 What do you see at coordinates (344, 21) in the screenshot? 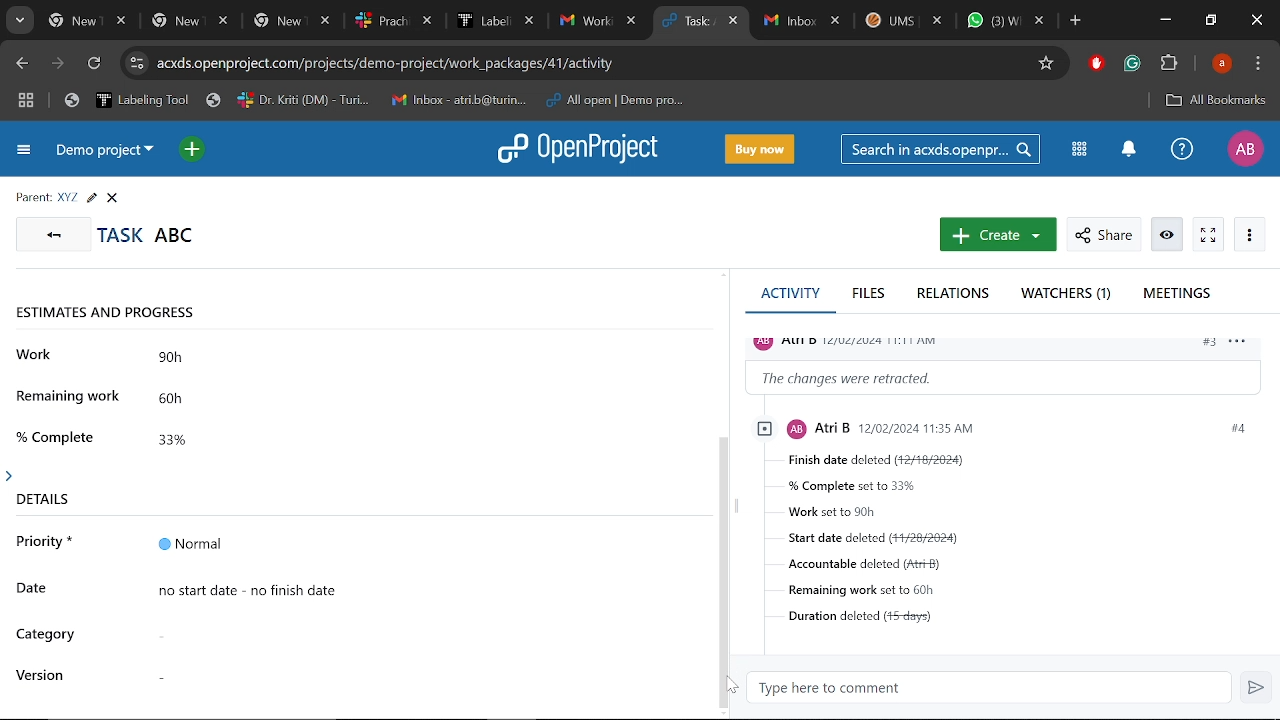
I see `Other tabs` at bounding box center [344, 21].